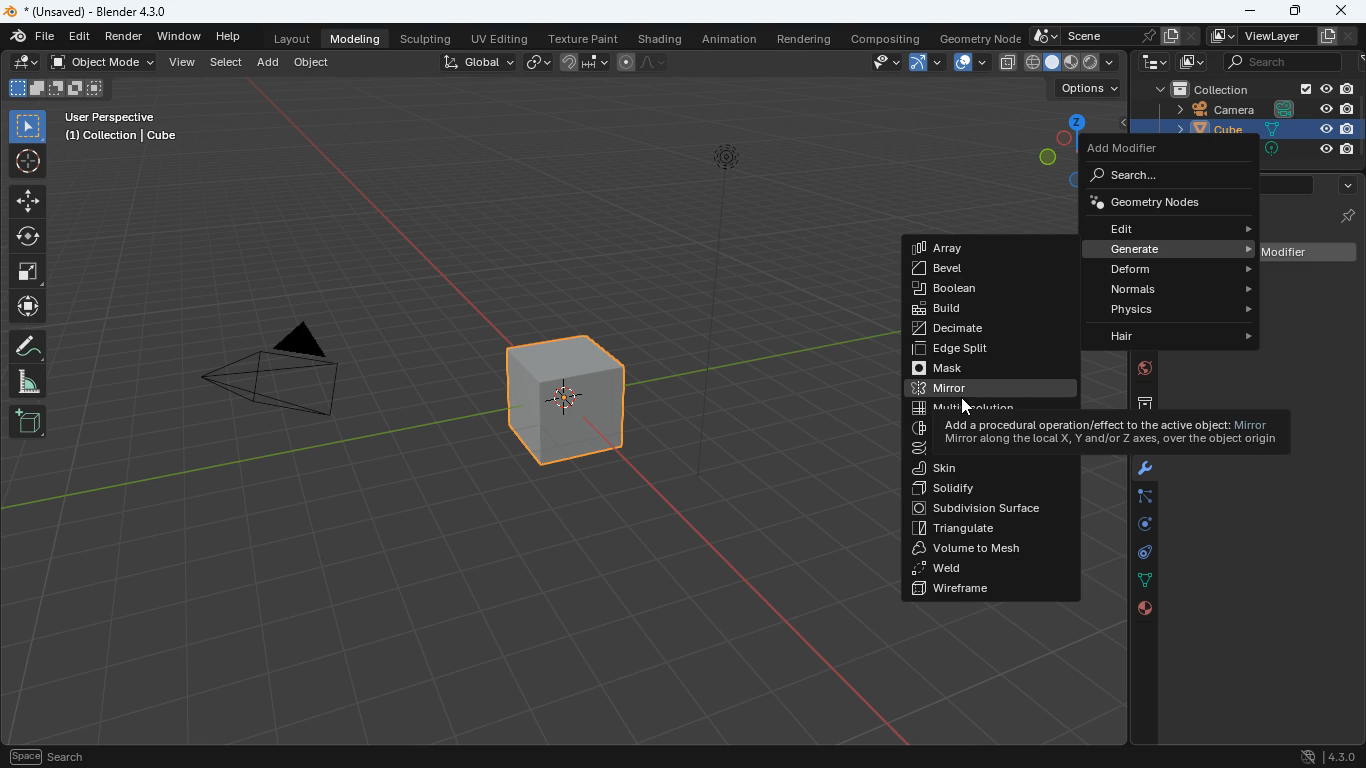 Image resolution: width=1366 pixels, height=768 pixels. Describe the element at coordinates (126, 37) in the screenshot. I see `render` at that location.